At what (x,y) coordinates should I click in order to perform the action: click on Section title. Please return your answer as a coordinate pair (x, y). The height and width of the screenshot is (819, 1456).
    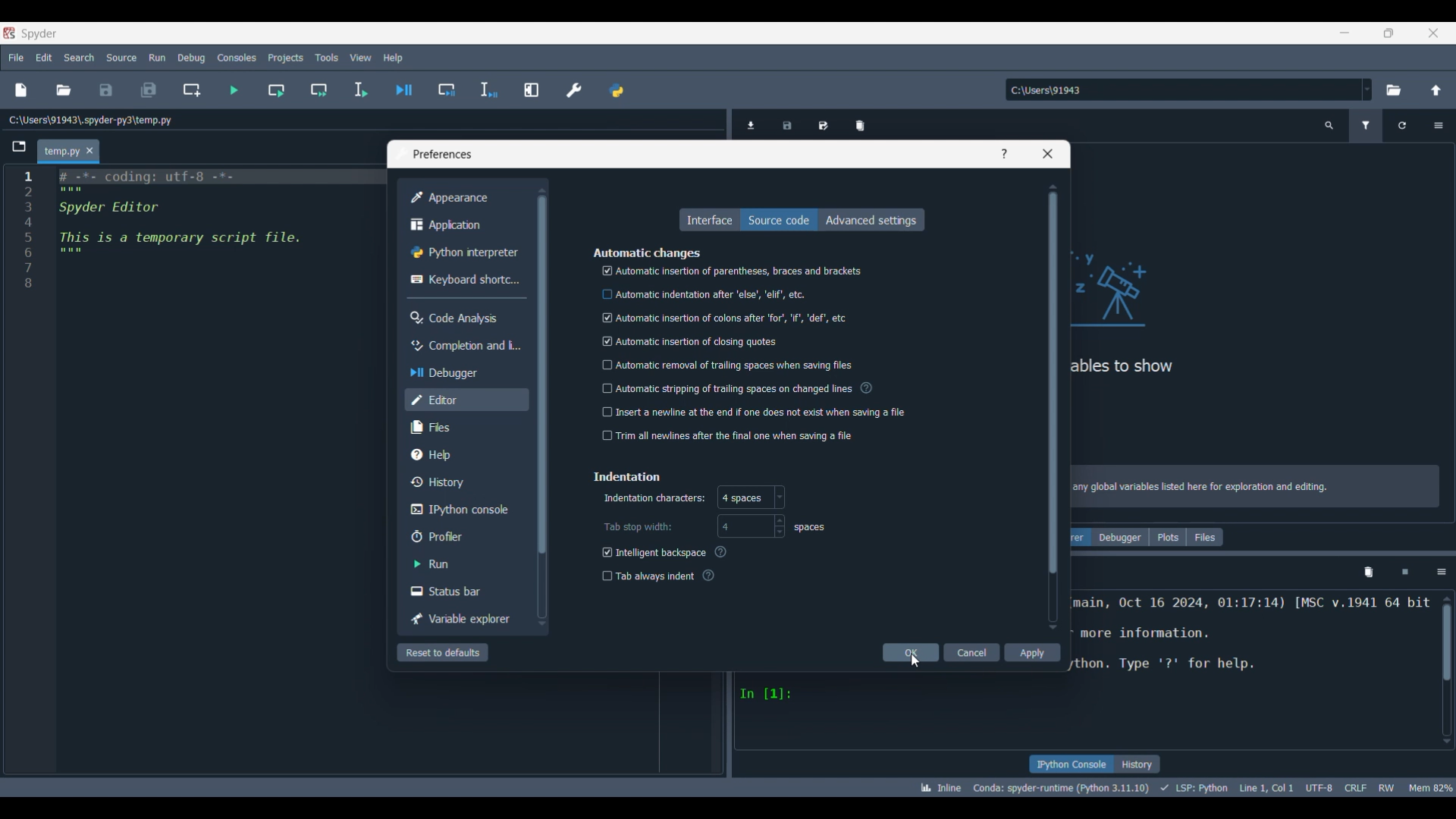
    Looking at the image, I should click on (626, 476).